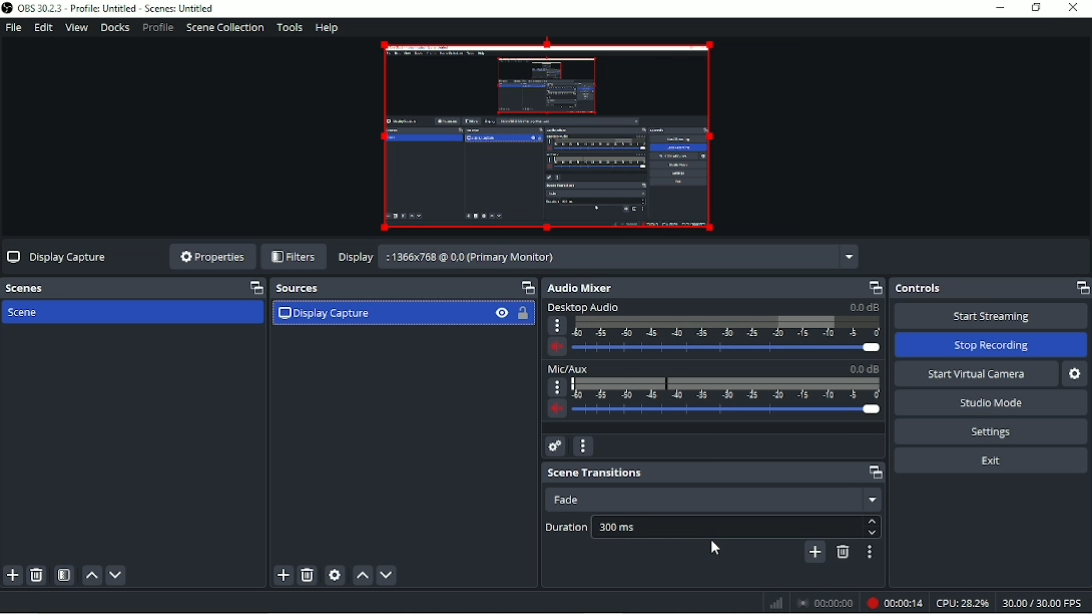 This screenshot has width=1092, height=614. I want to click on Profile, so click(157, 28).